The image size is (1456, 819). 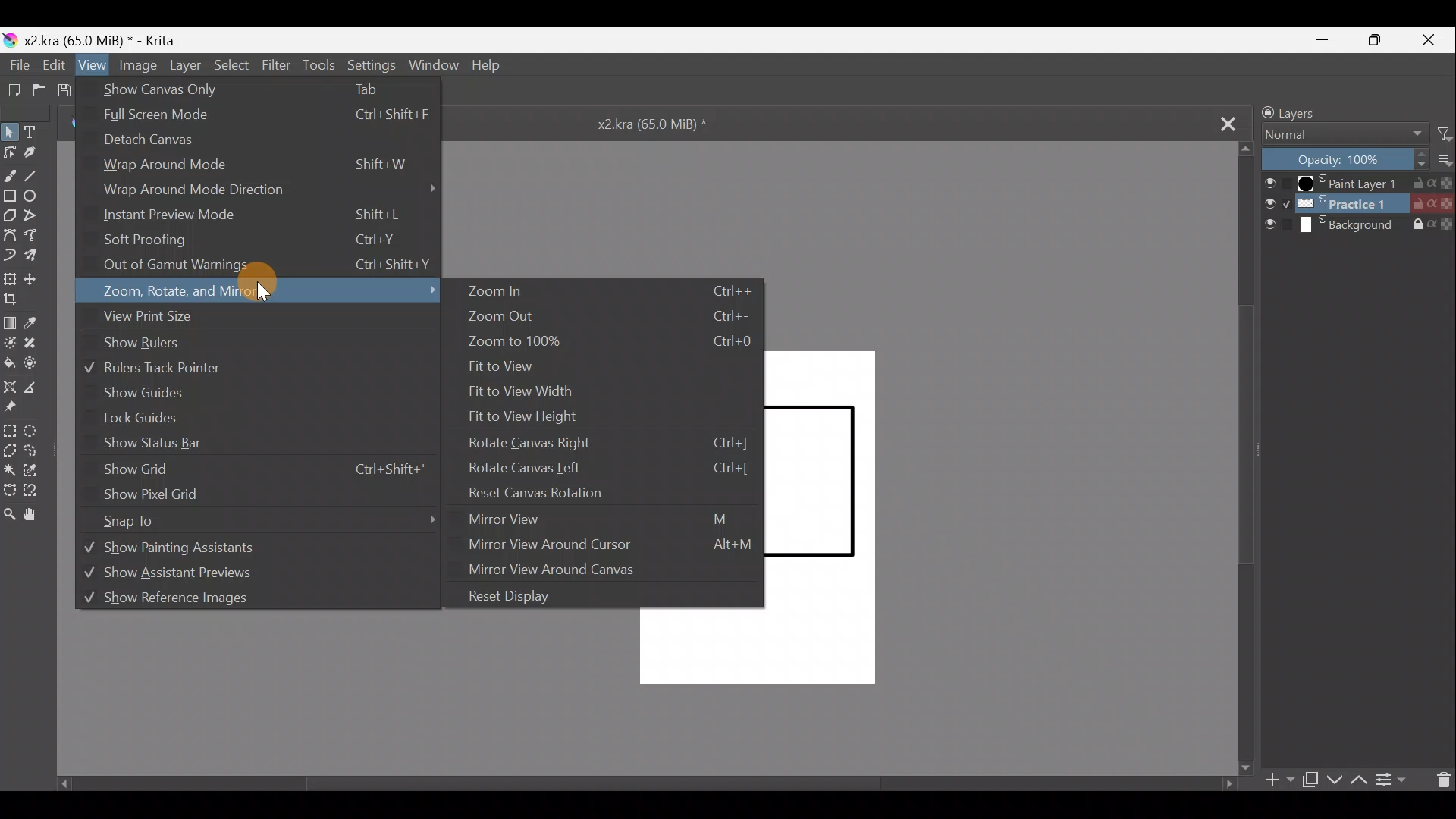 What do you see at coordinates (262, 469) in the screenshot?
I see `Show grid` at bounding box center [262, 469].